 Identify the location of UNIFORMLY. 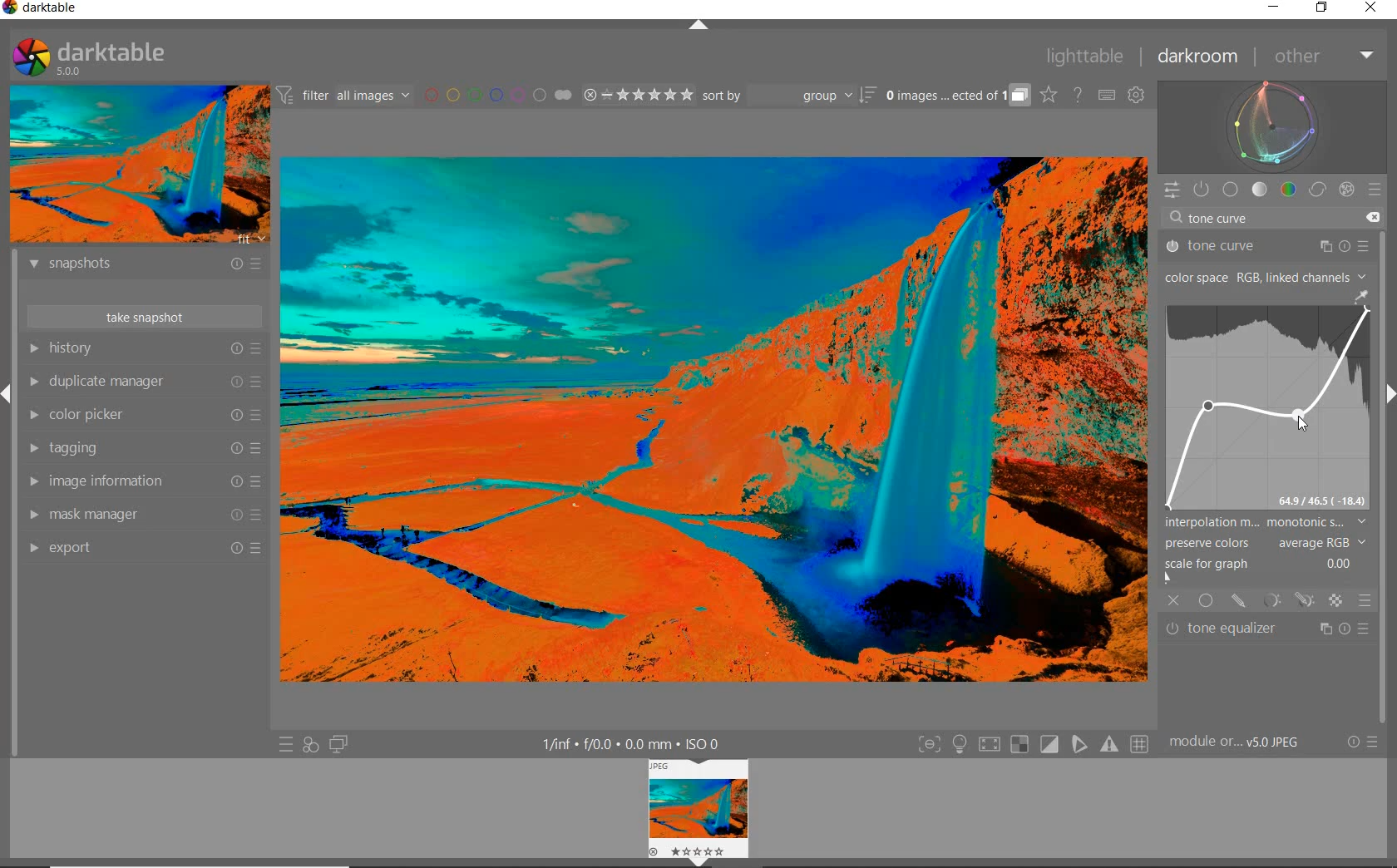
(1206, 601).